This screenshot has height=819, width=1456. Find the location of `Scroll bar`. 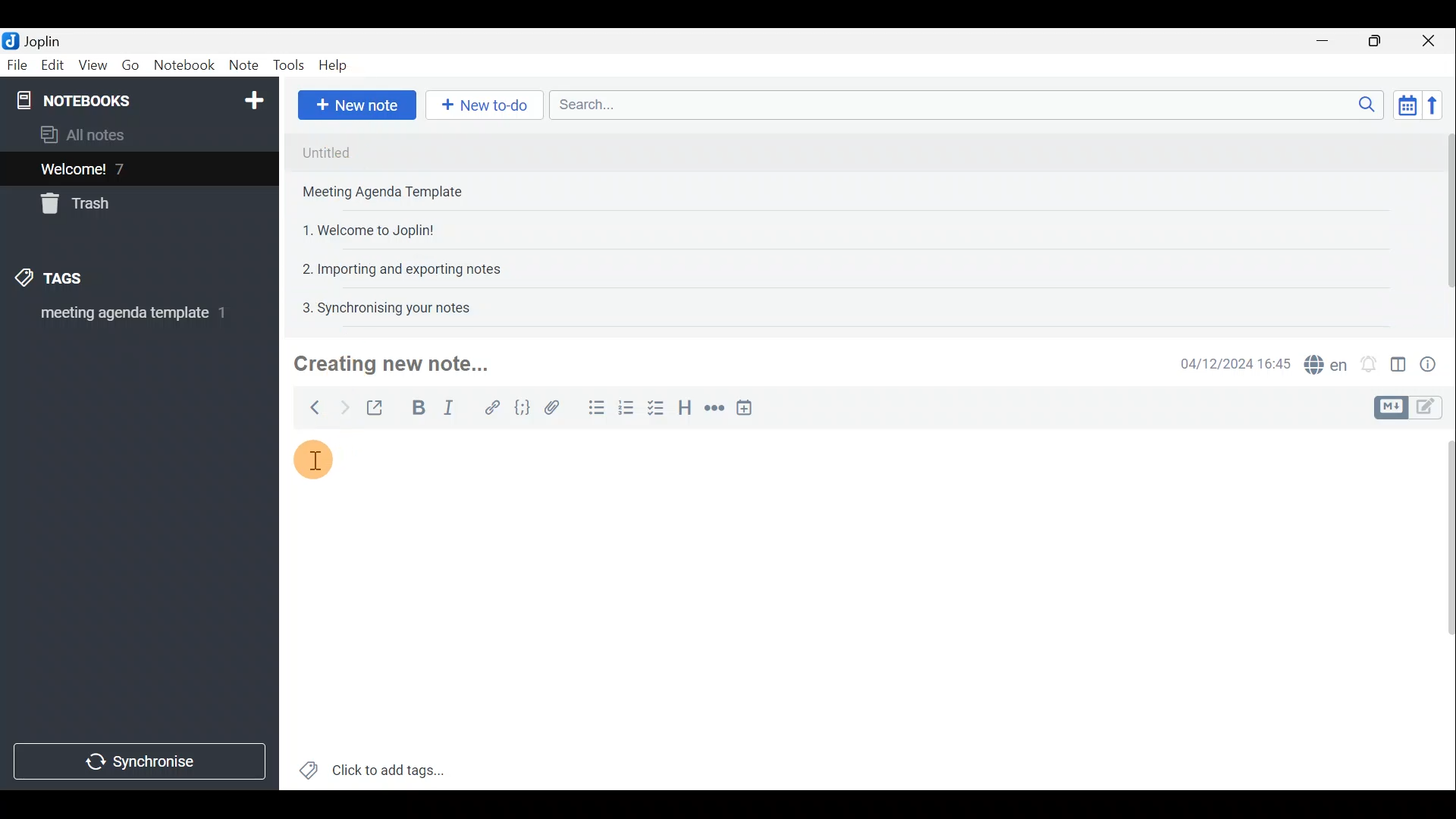

Scroll bar is located at coordinates (1442, 221).